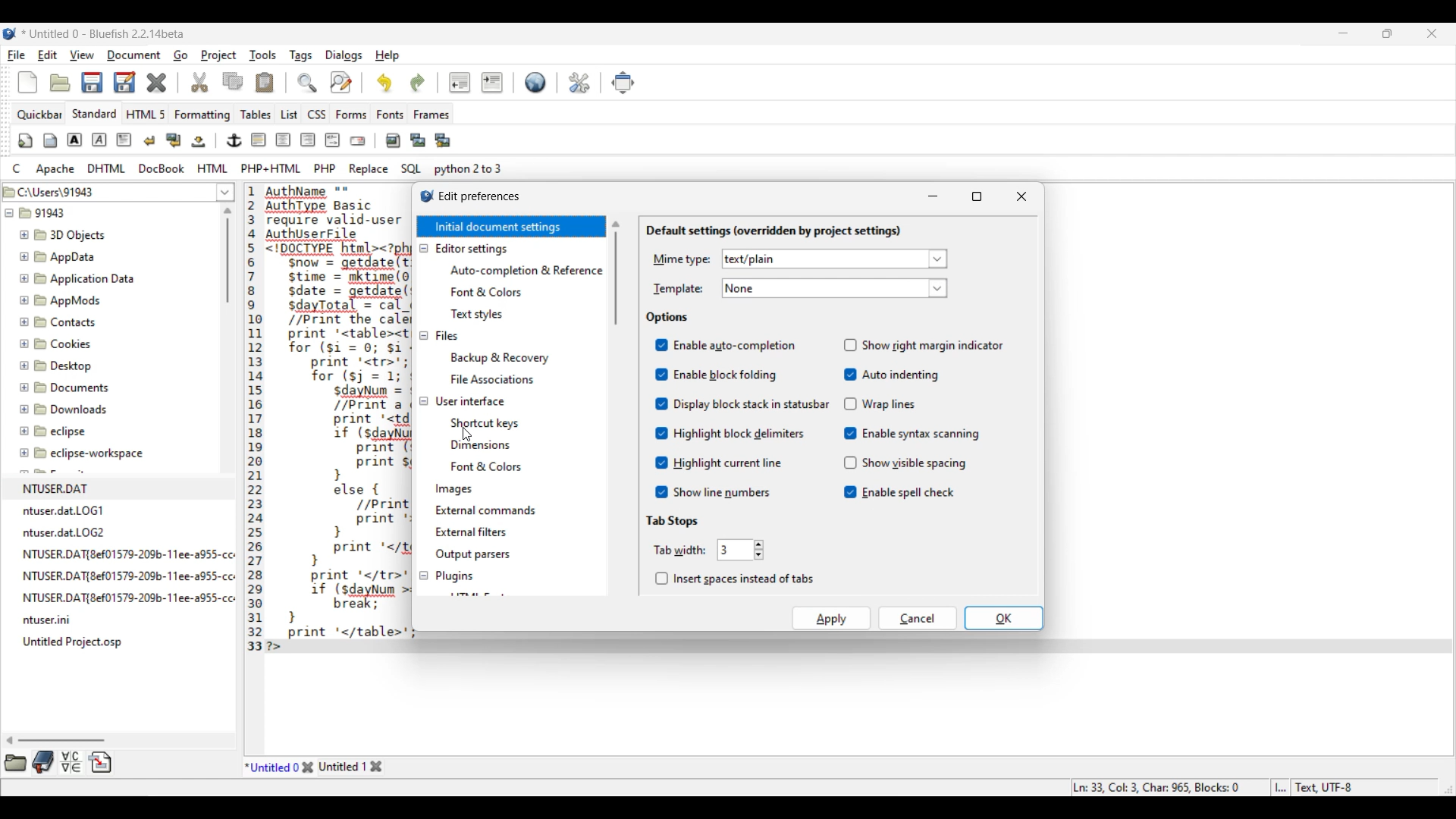 The width and height of the screenshot is (1456, 819). What do you see at coordinates (128, 598) in the screenshot?
I see `NTUSER.DAT{8ef01579-209b-11ee-2955-cc:` at bounding box center [128, 598].